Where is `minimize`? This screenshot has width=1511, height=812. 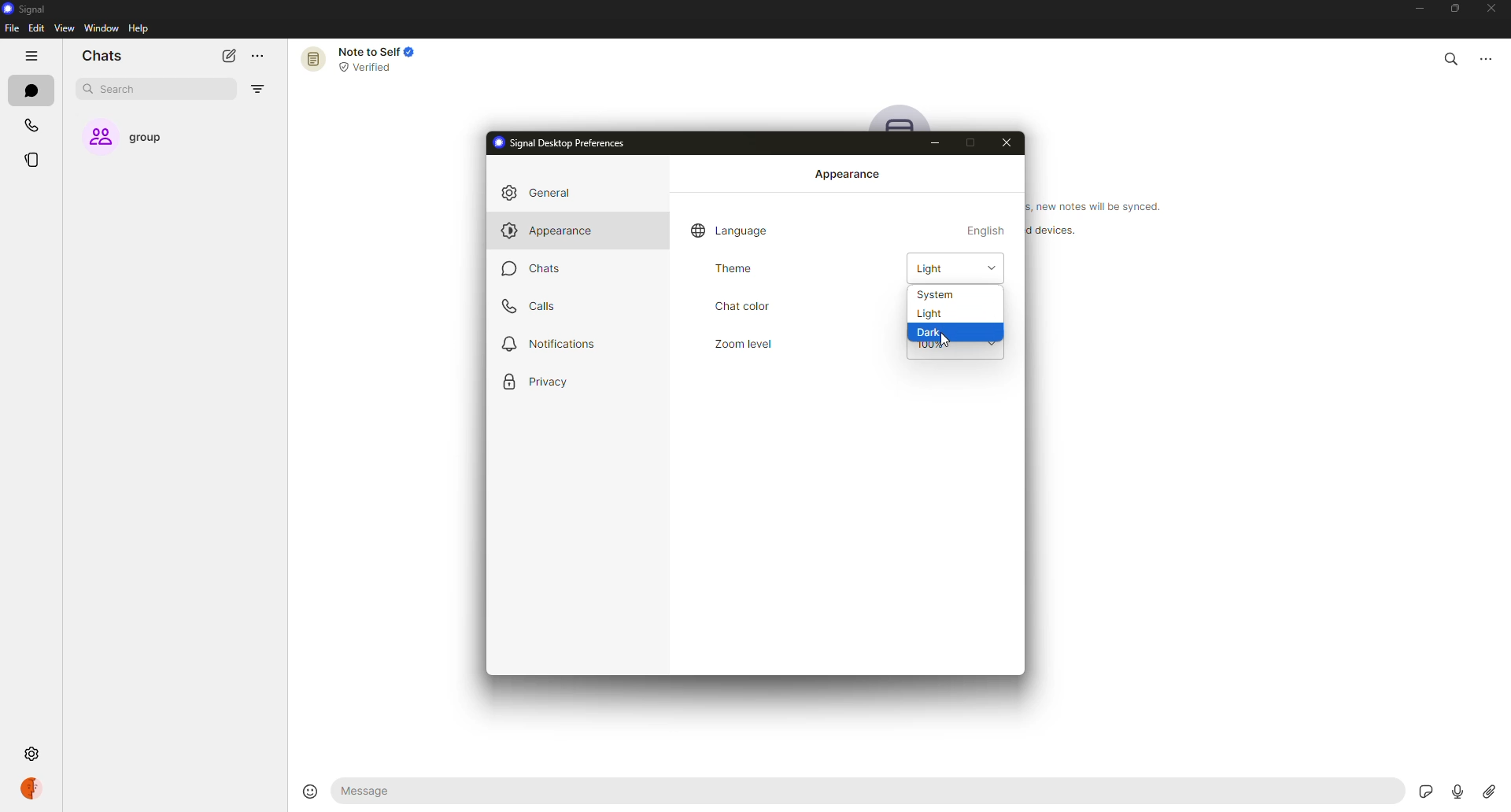 minimize is located at coordinates (937, 142).